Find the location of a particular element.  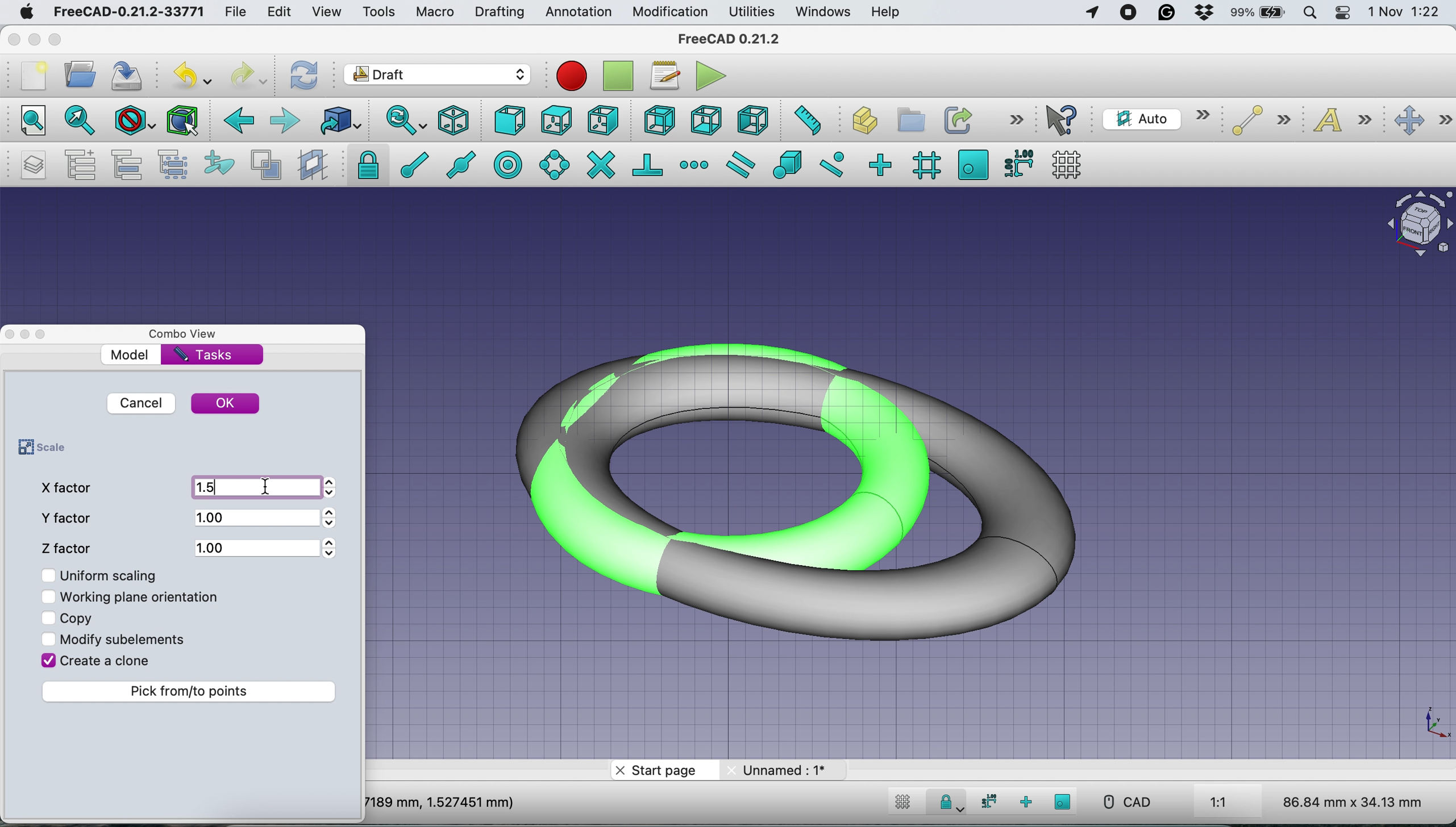

maximise is located at coordinates (57, 40).